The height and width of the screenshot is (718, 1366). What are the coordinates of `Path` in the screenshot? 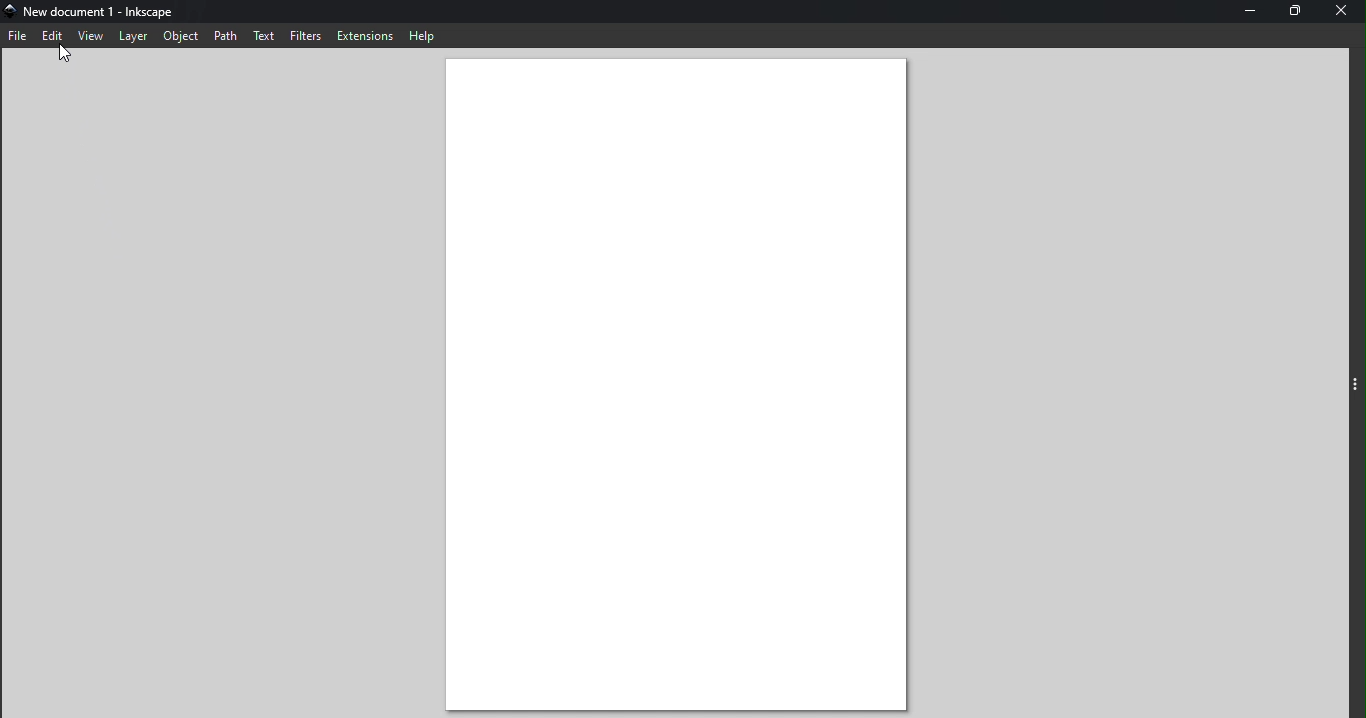 It's located at (224, 35).